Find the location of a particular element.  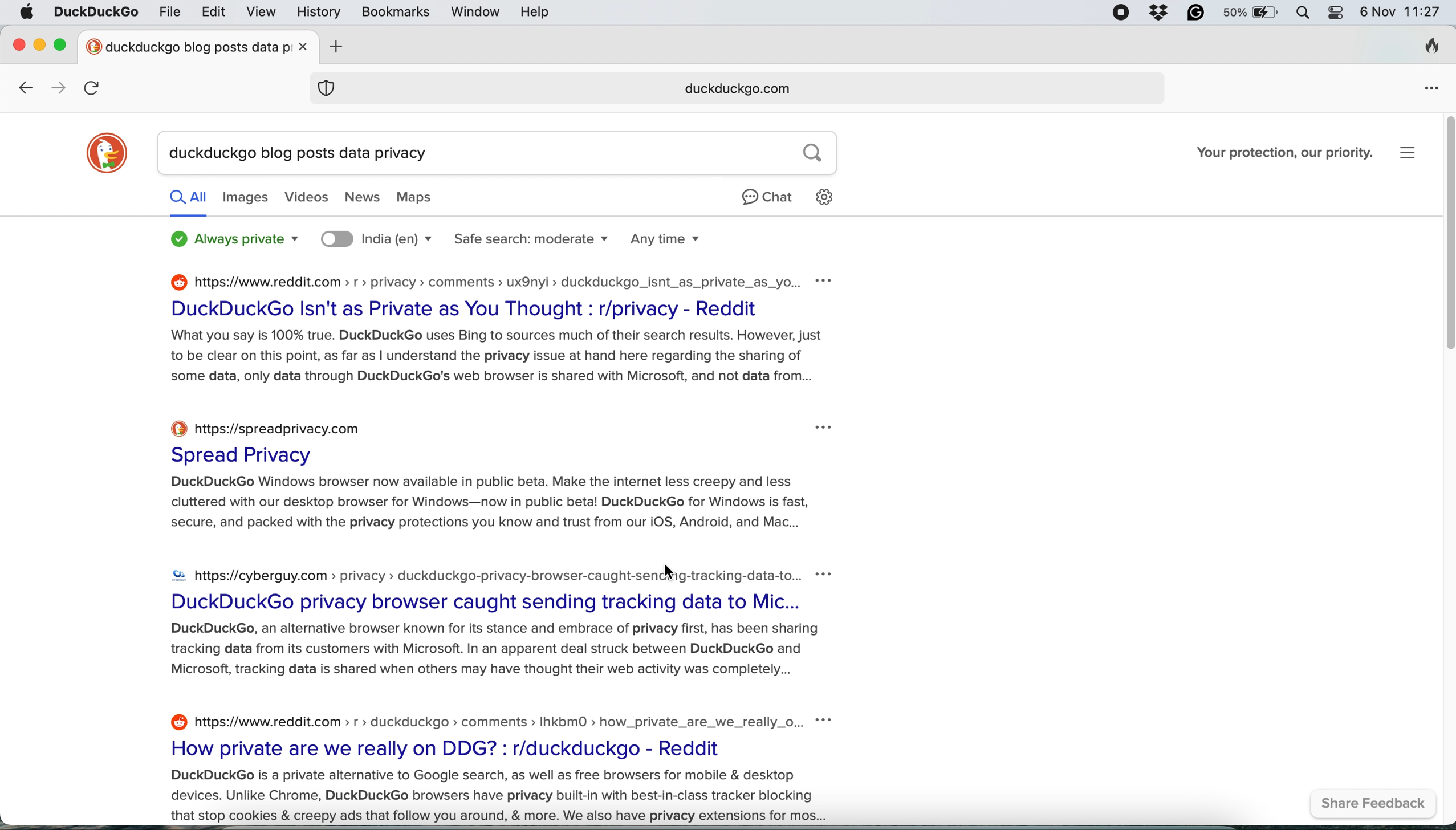

What you say is 100% true. DuckDuckGo uses... is located at coordinates (496, 358).